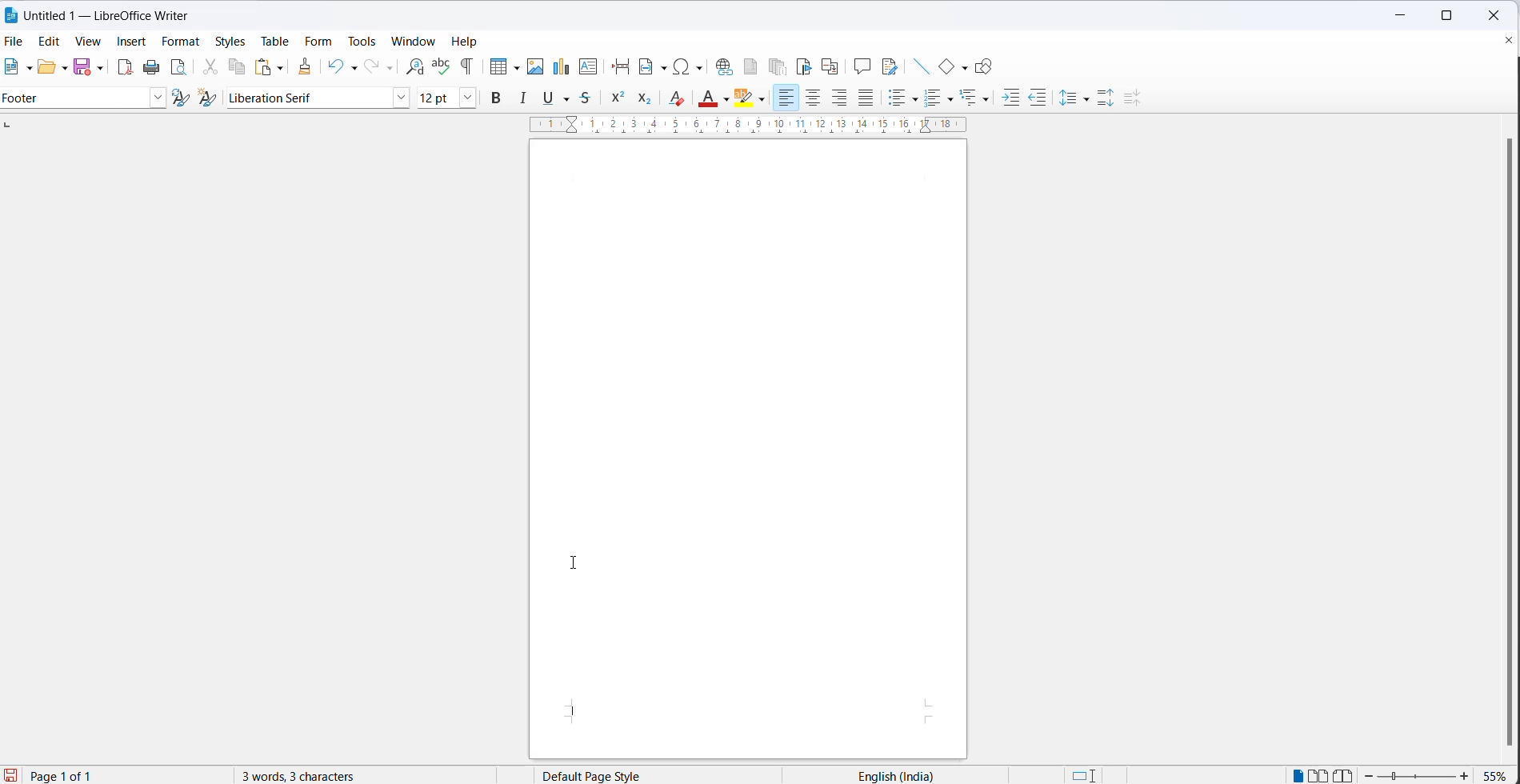  I want to click on bold, so click(499, 98).